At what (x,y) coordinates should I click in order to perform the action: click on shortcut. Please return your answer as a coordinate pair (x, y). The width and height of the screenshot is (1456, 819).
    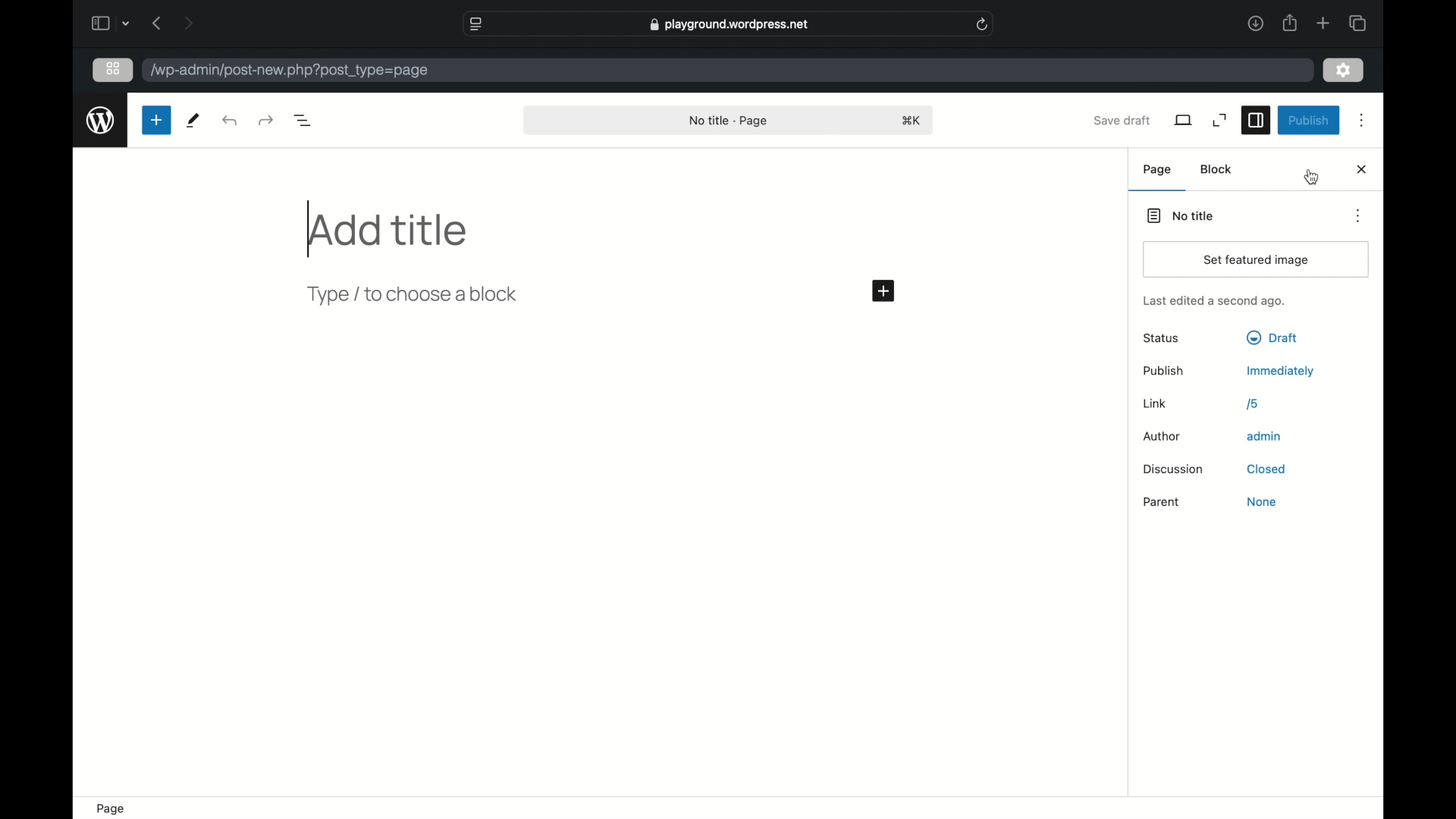
    Looking at the image, I should click on (913, 121).